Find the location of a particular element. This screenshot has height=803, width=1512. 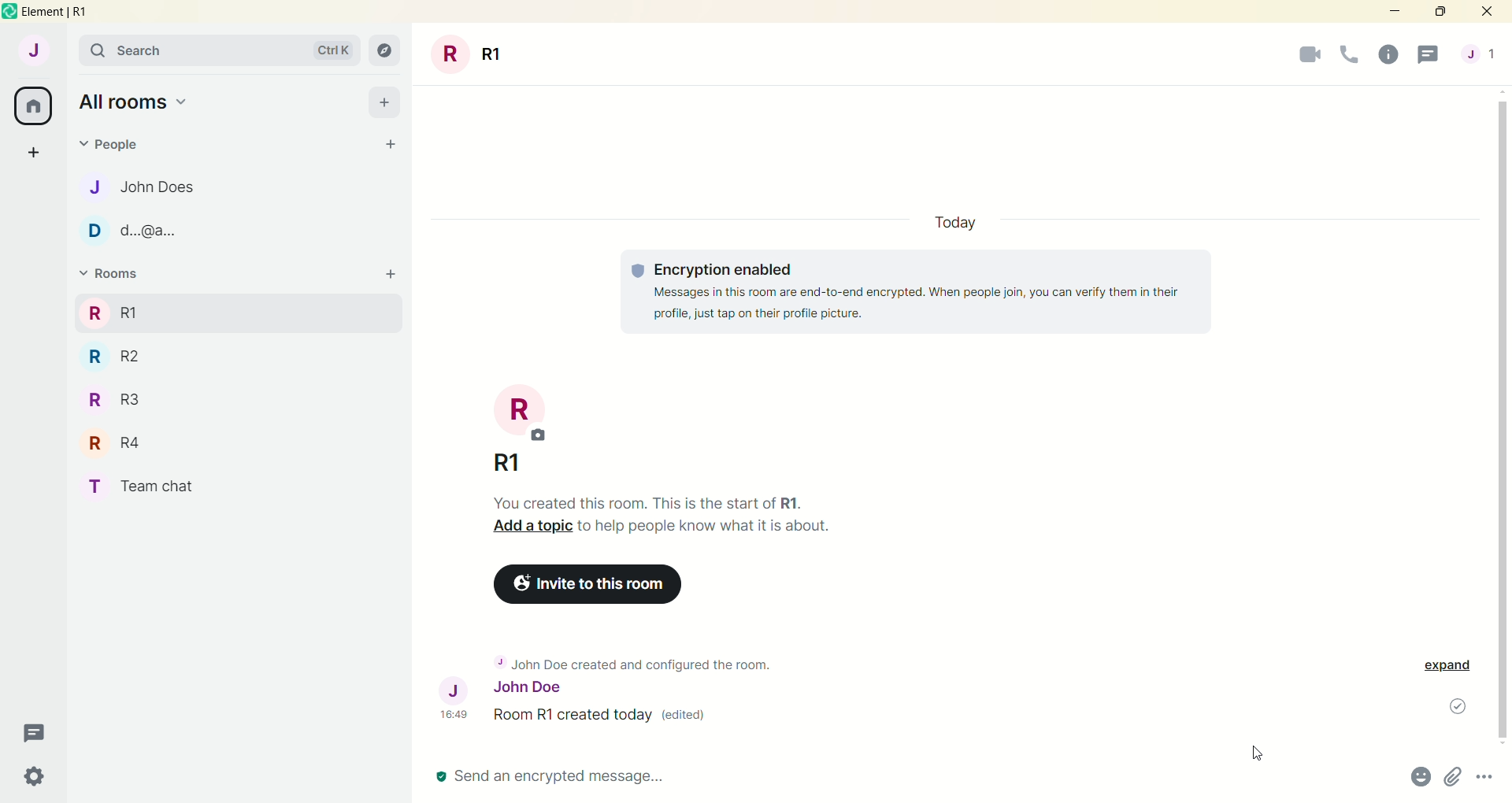

Add a topic is located at coordinates (528, 531).